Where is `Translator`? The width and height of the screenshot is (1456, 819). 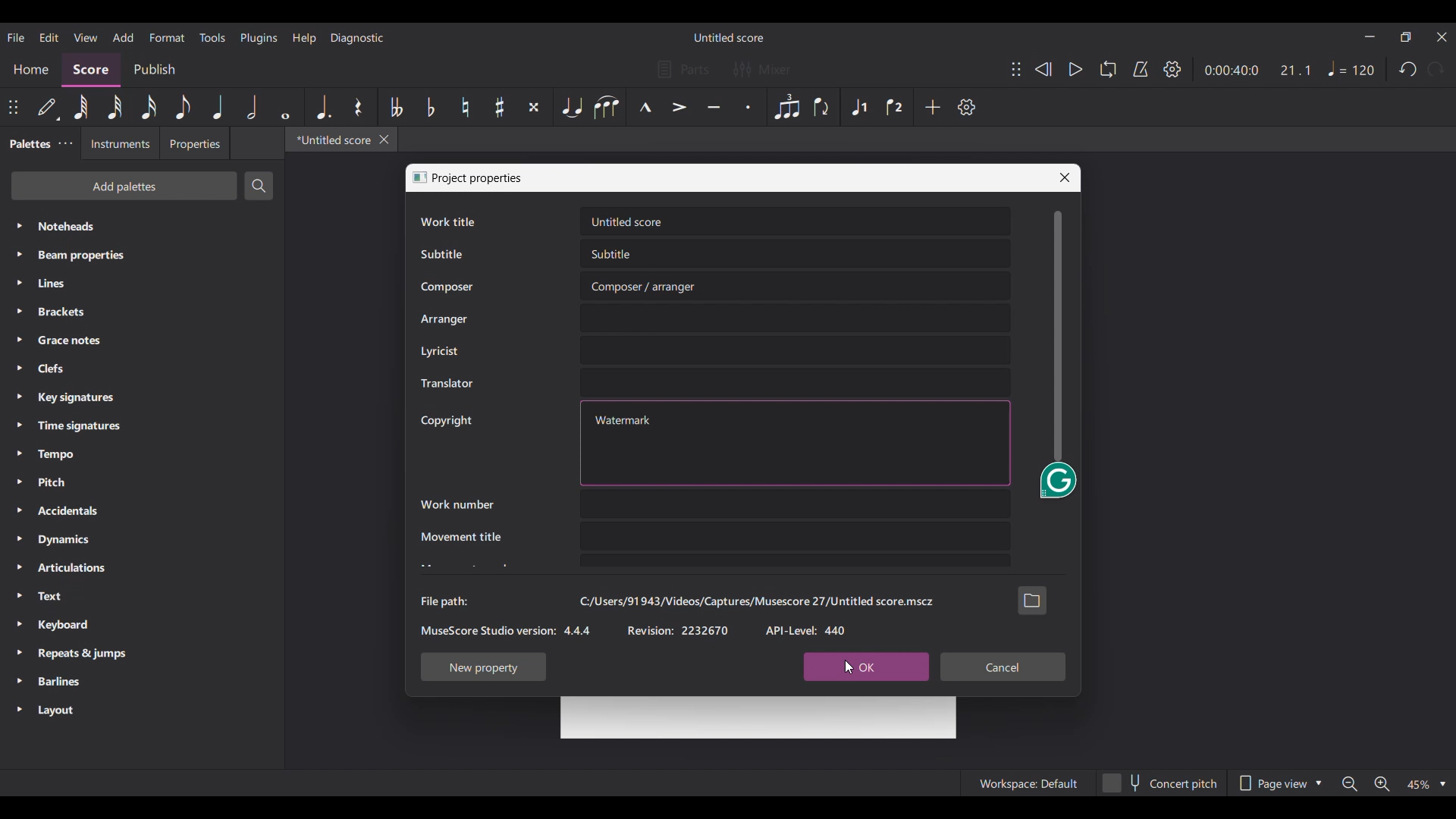
Translator is located at coordinates (446, 384).